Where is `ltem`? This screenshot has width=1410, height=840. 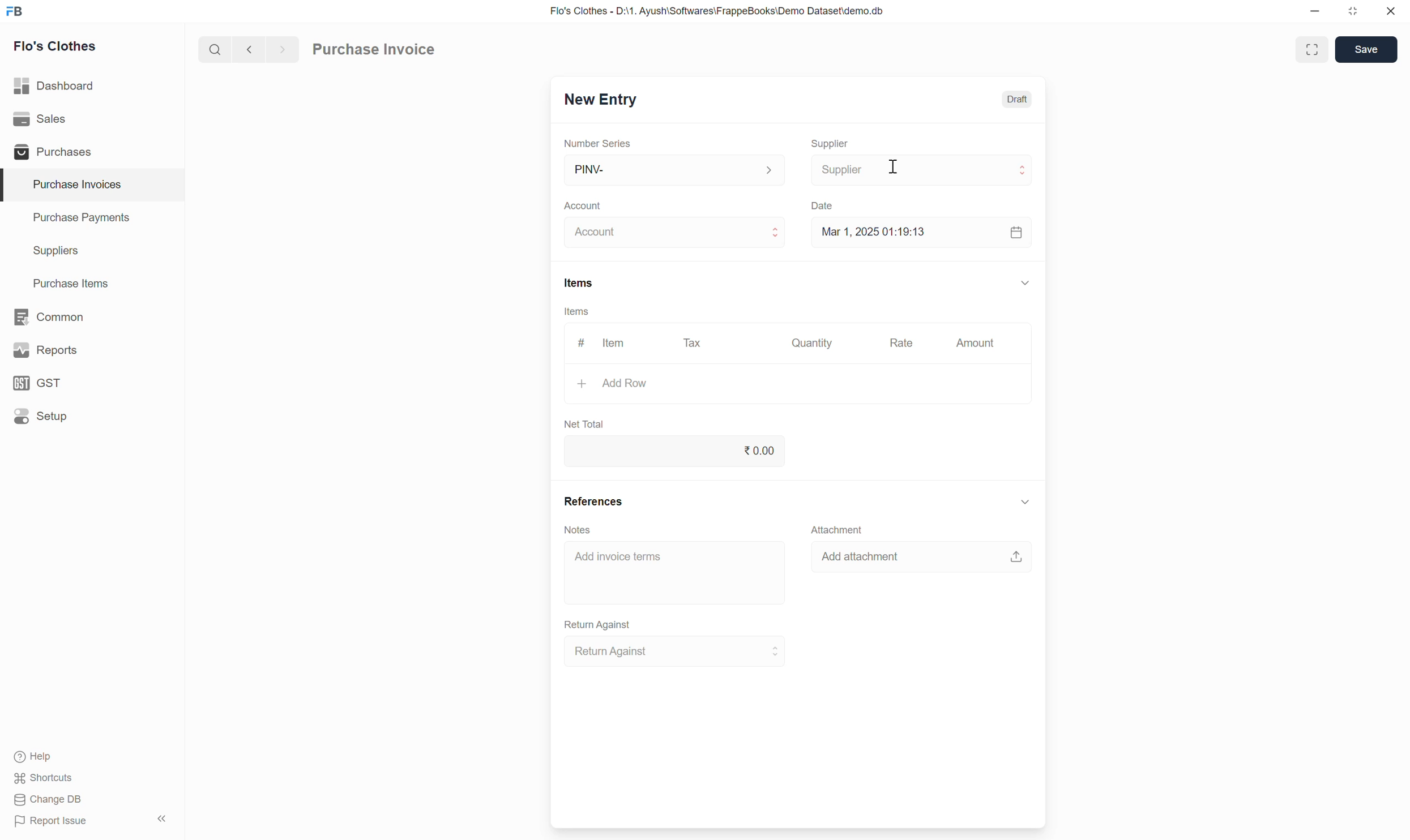 ltem is located at coordinates (616, 345).